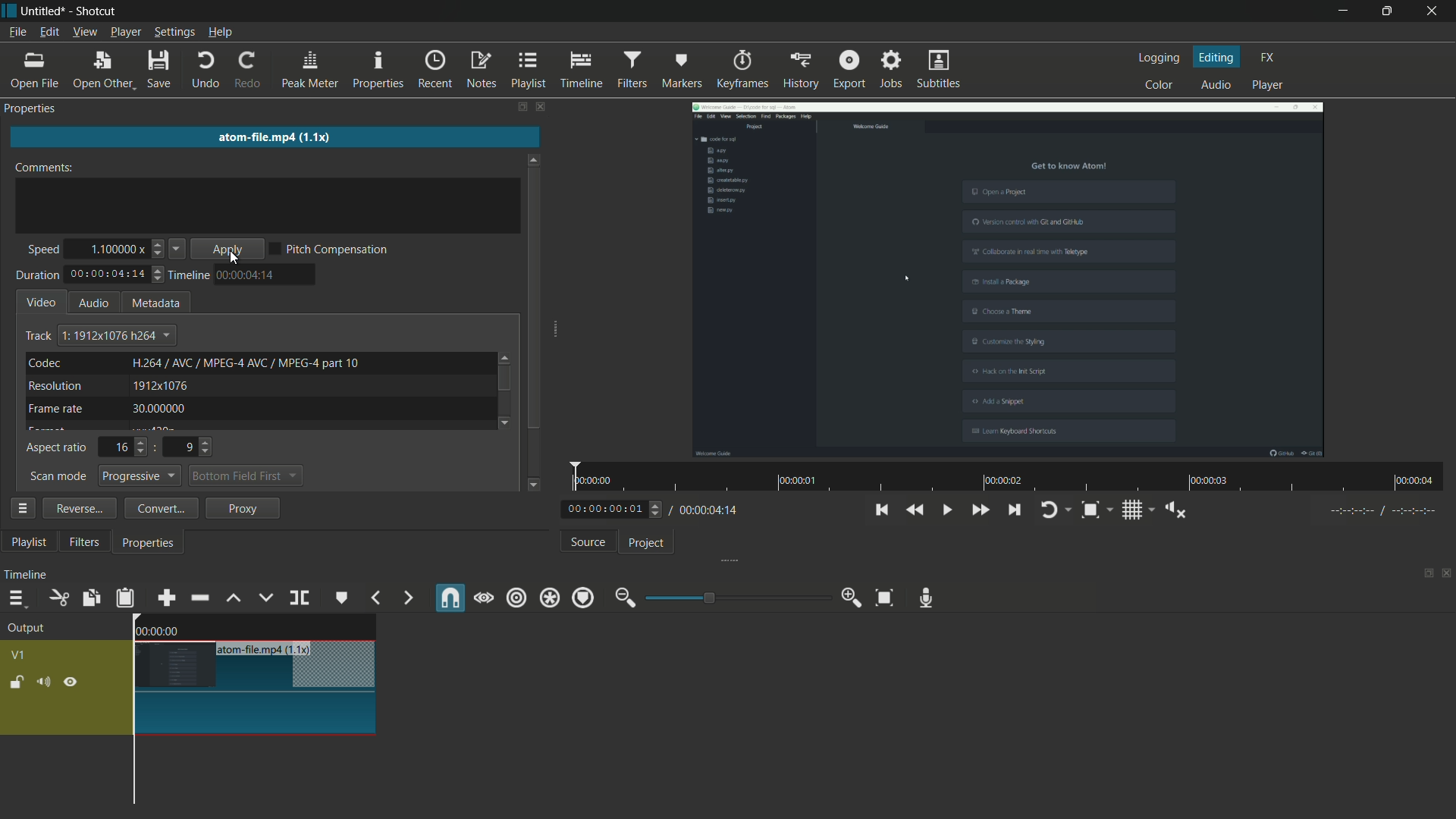 This screenshot has width=1456, height=819. I want to click on split at playhead, so click(301, 598).